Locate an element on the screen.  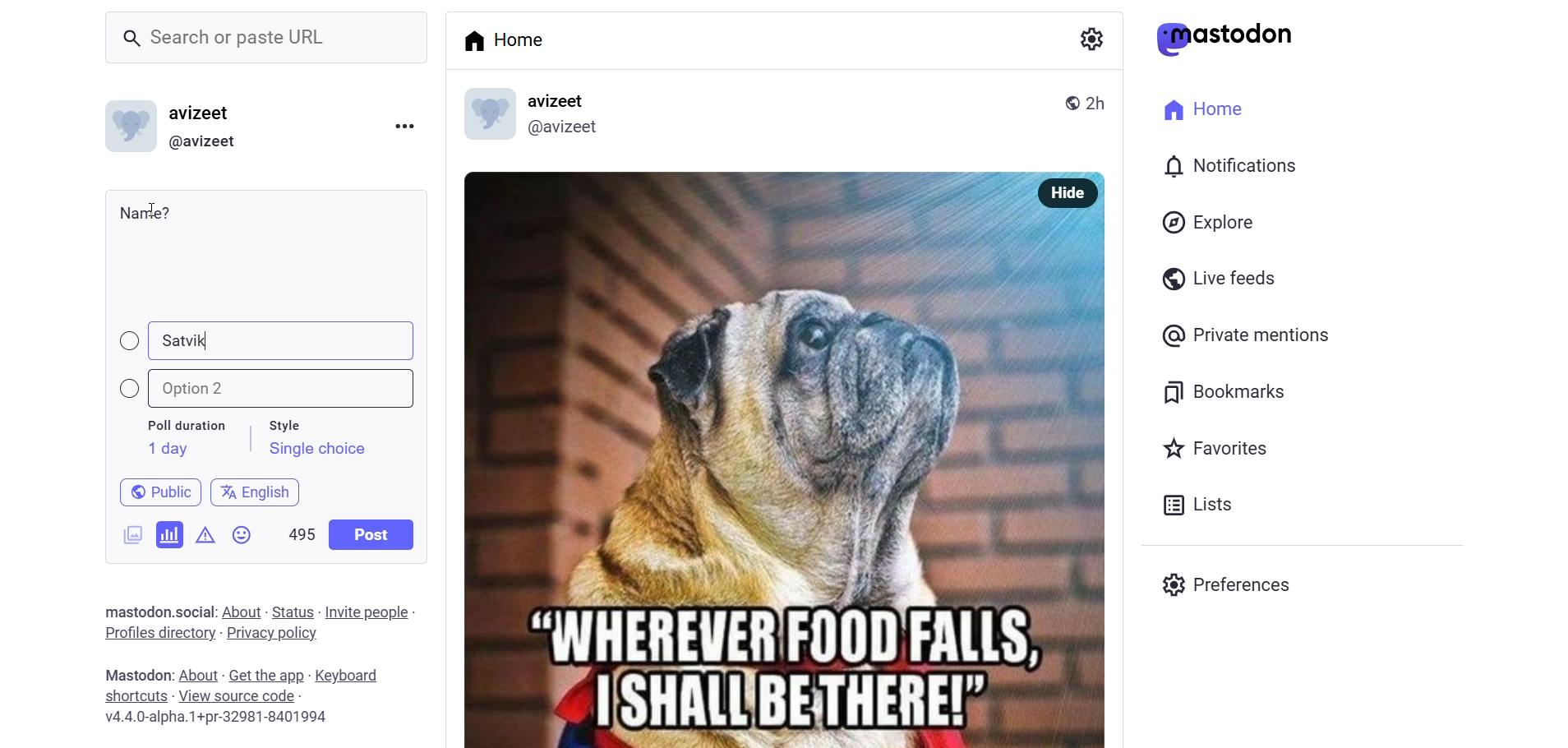
home is located at coordinates (510, 39).